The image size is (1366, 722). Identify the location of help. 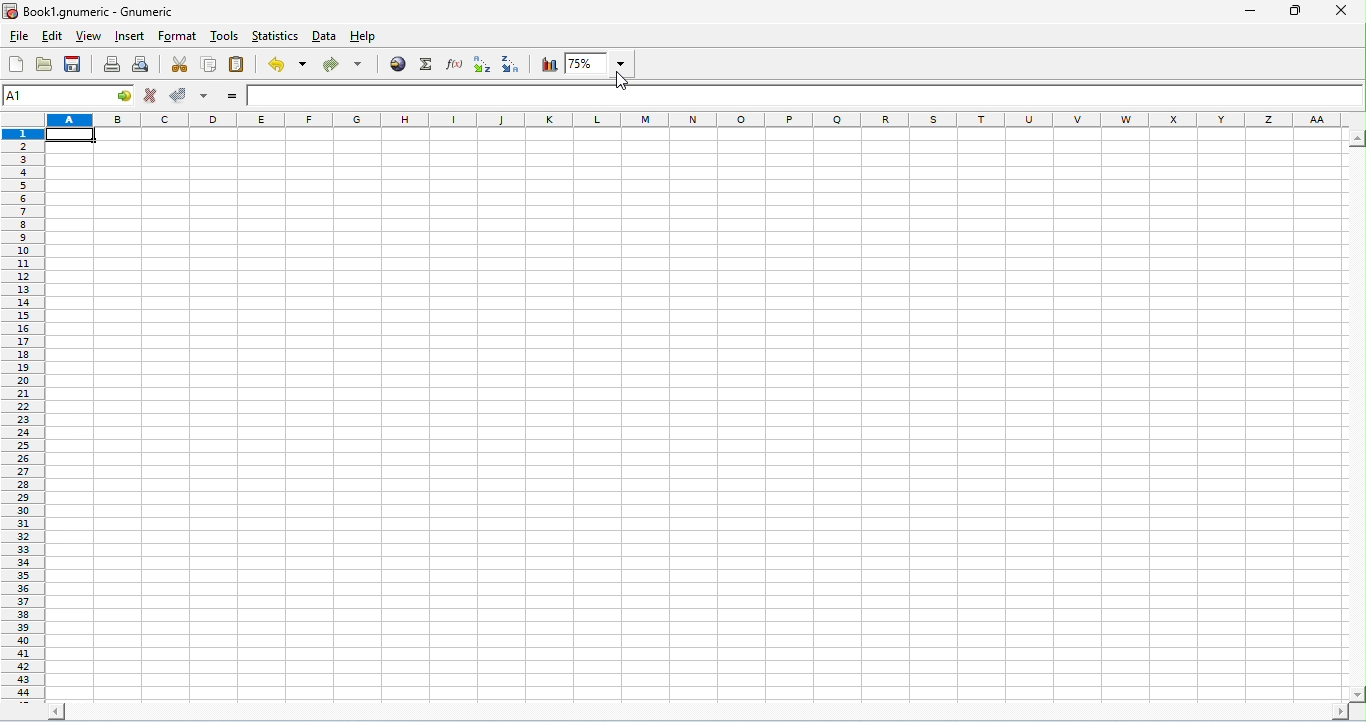
(363, 38).